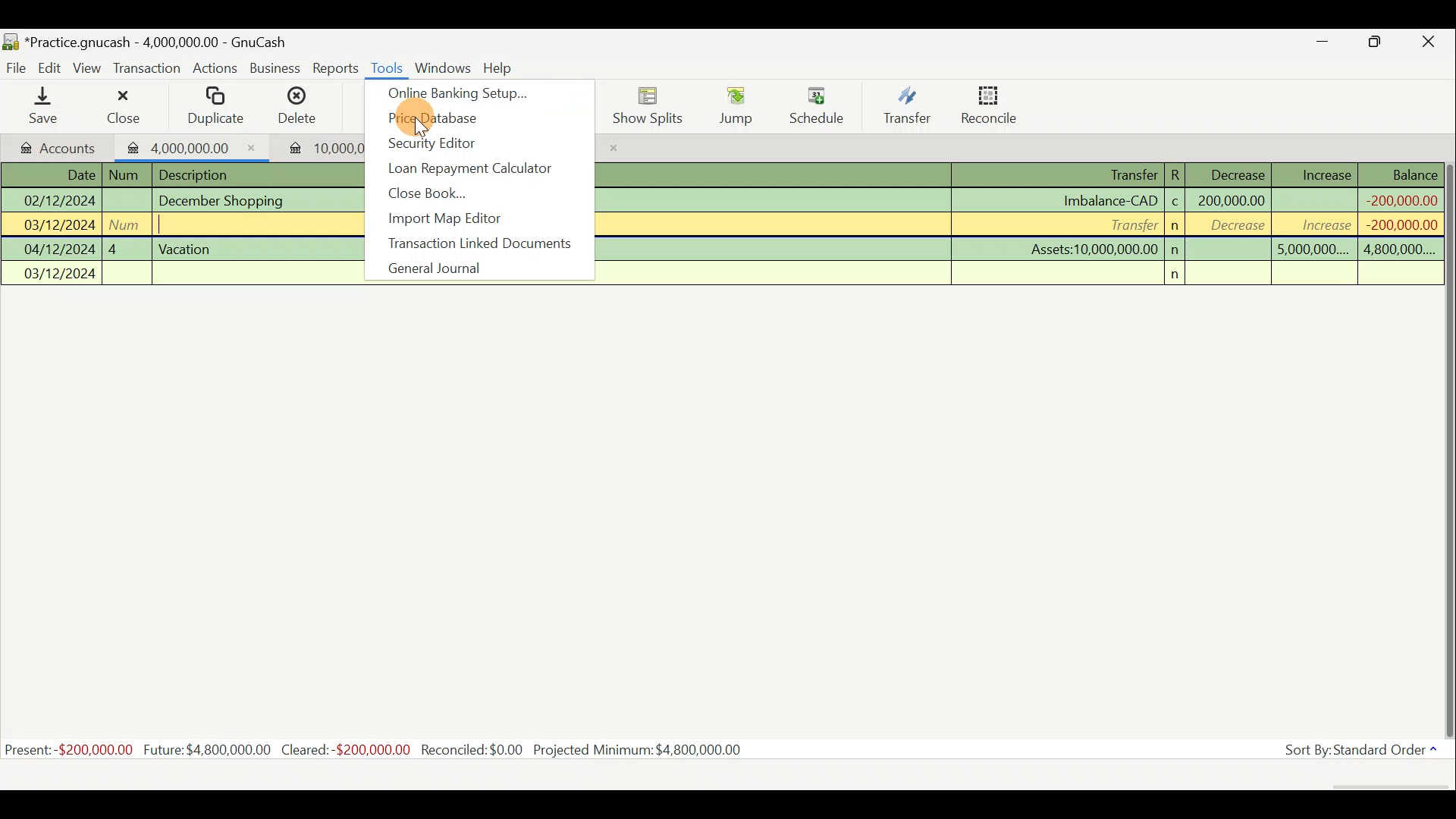 The width and height of the screenshot is (1456, 819). What do you see at coordinates (1230, 200) in the screenshot?
I see `200,000,000` at bounding box center [1230, 200].